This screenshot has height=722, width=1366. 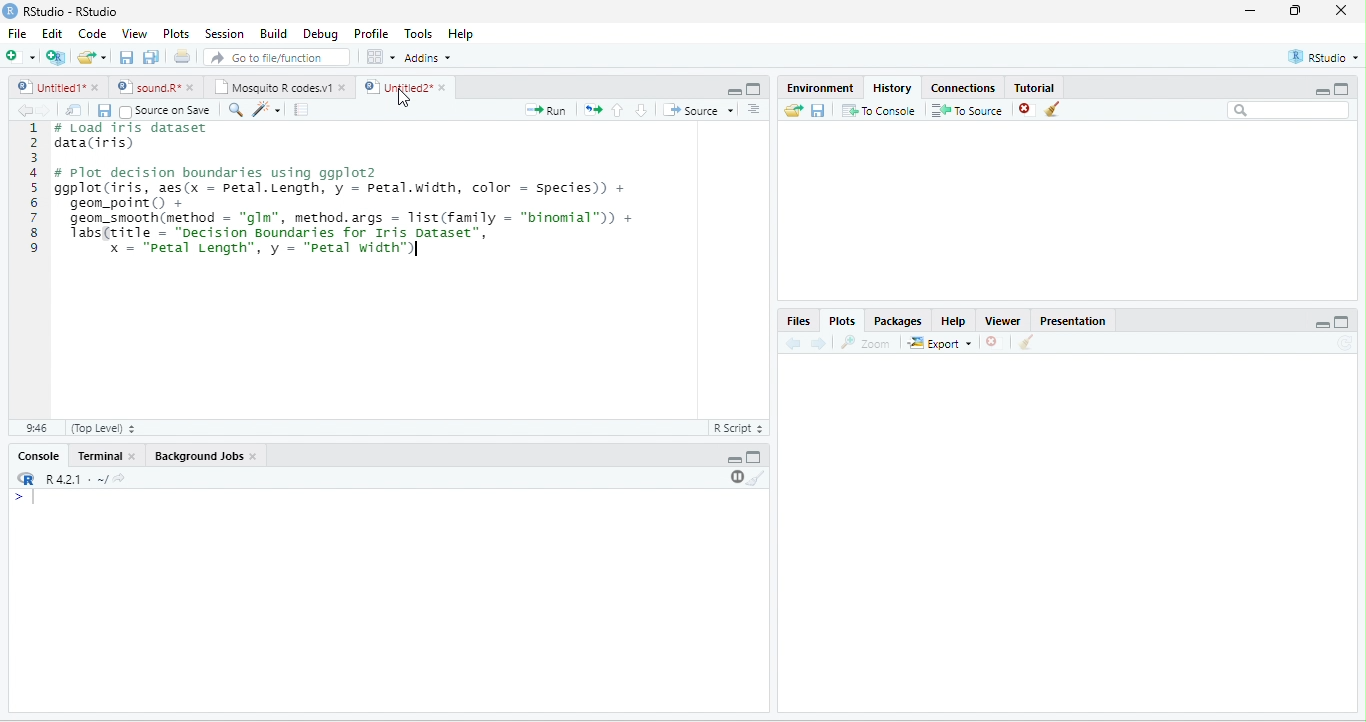 I want to click on Profile, so click(x=373, y=34).